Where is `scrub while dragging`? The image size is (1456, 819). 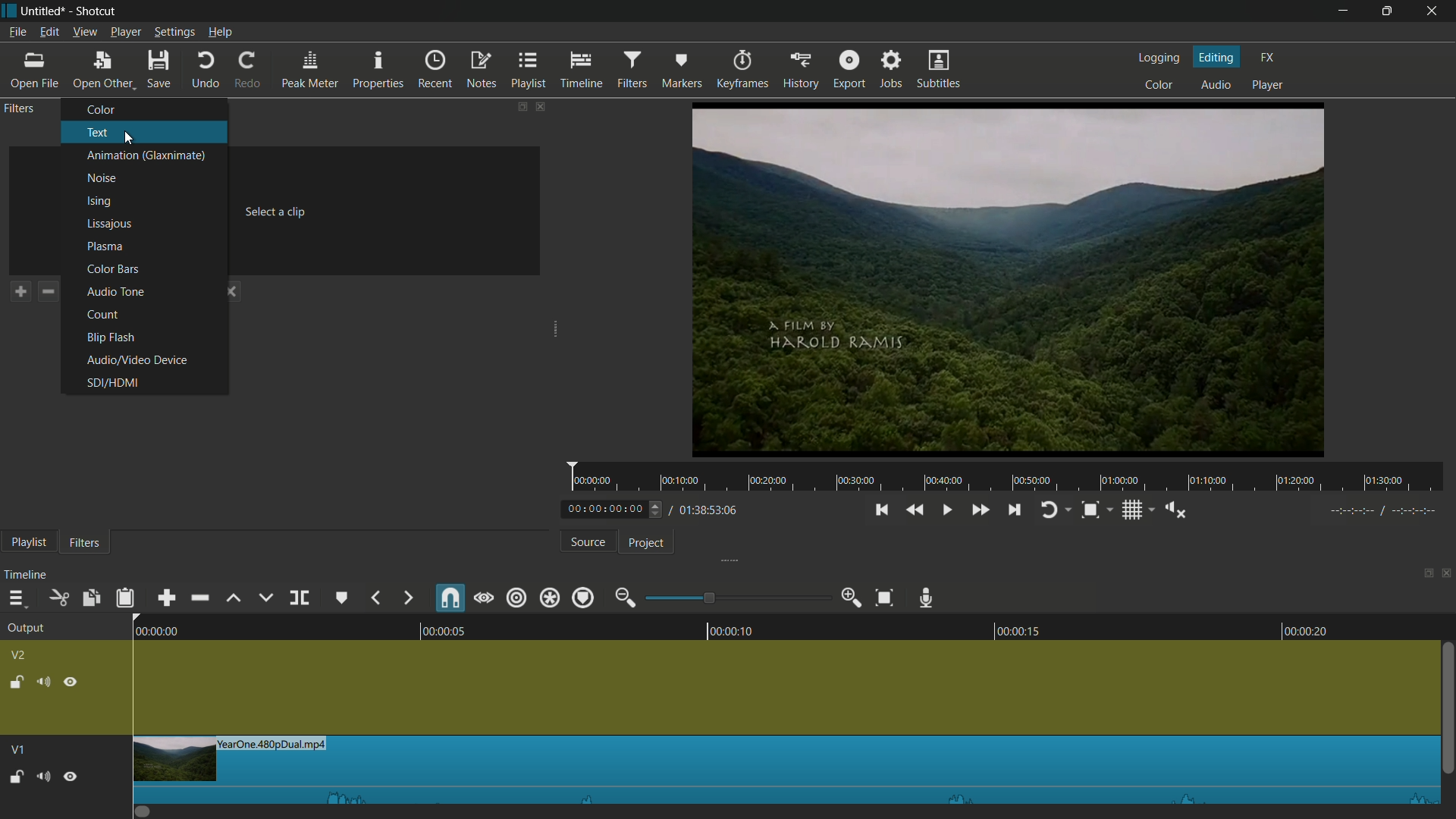 scrub while dragging is located at coordinates (485, 598).